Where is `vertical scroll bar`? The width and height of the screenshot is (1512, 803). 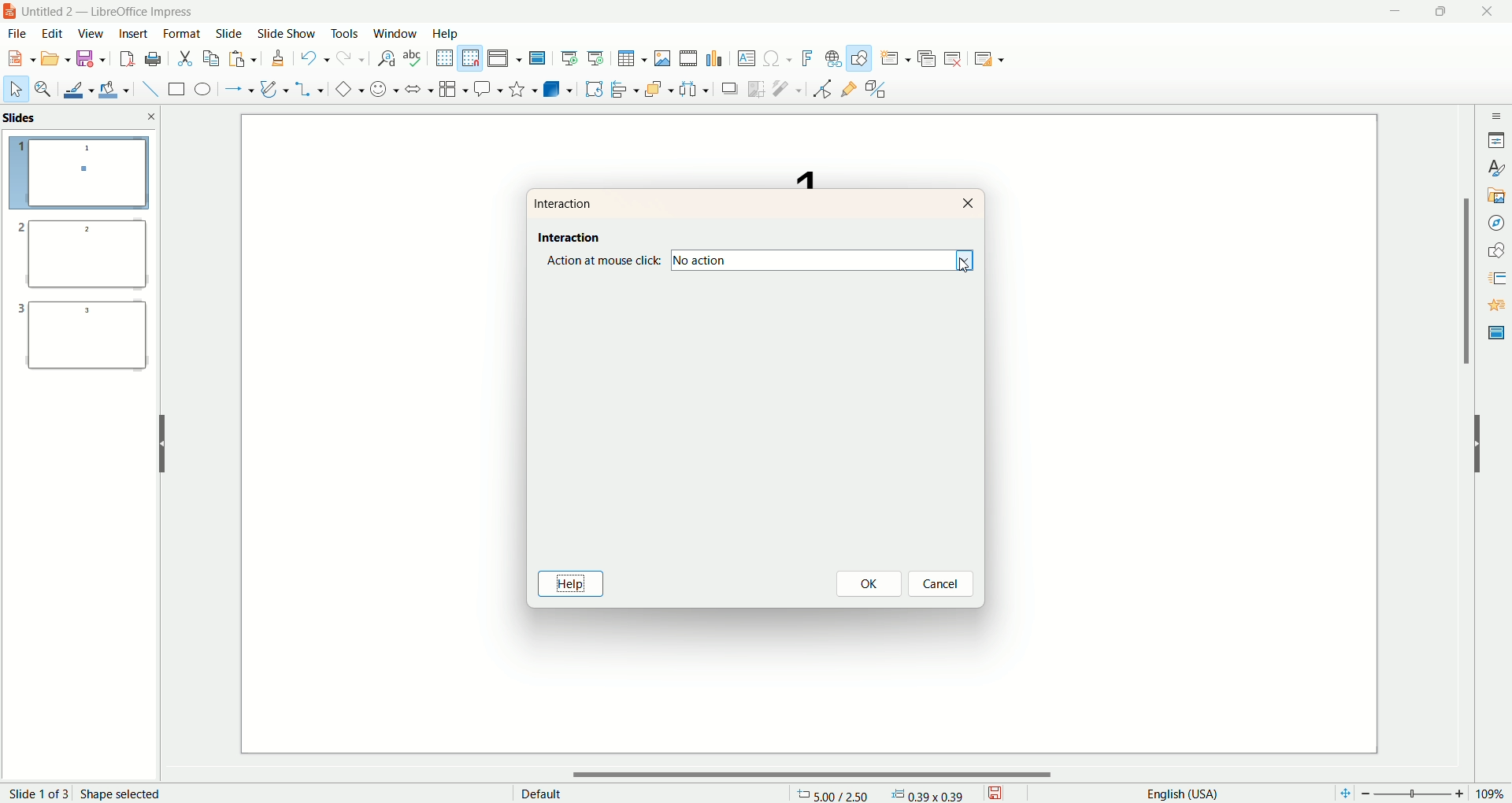
vertical scroll bar is located at coordinates (1466, 438).